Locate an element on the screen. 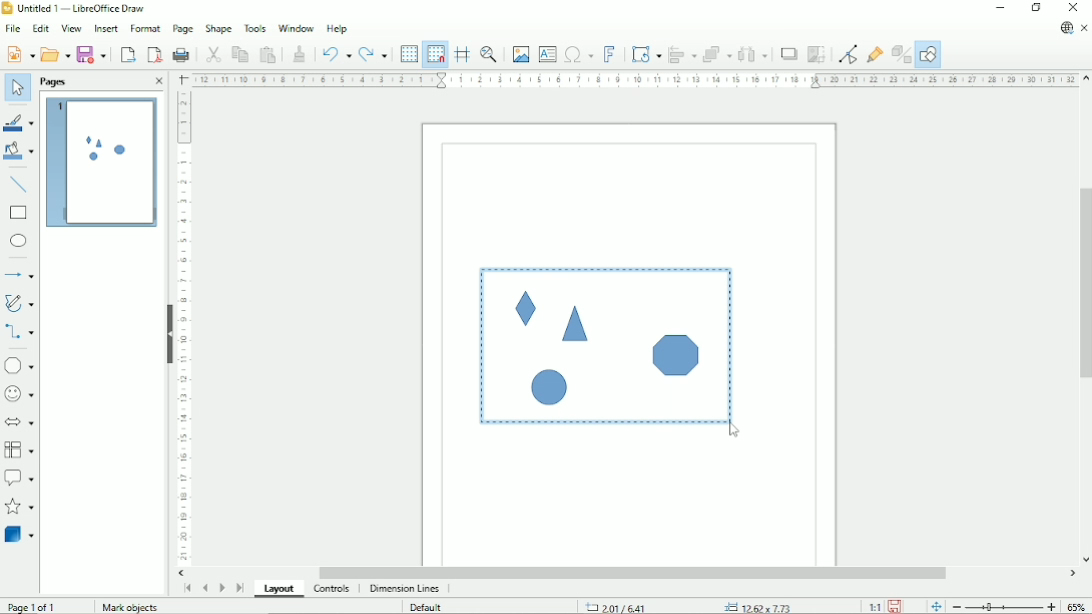  Shadow is located at coordinates (786, 53).